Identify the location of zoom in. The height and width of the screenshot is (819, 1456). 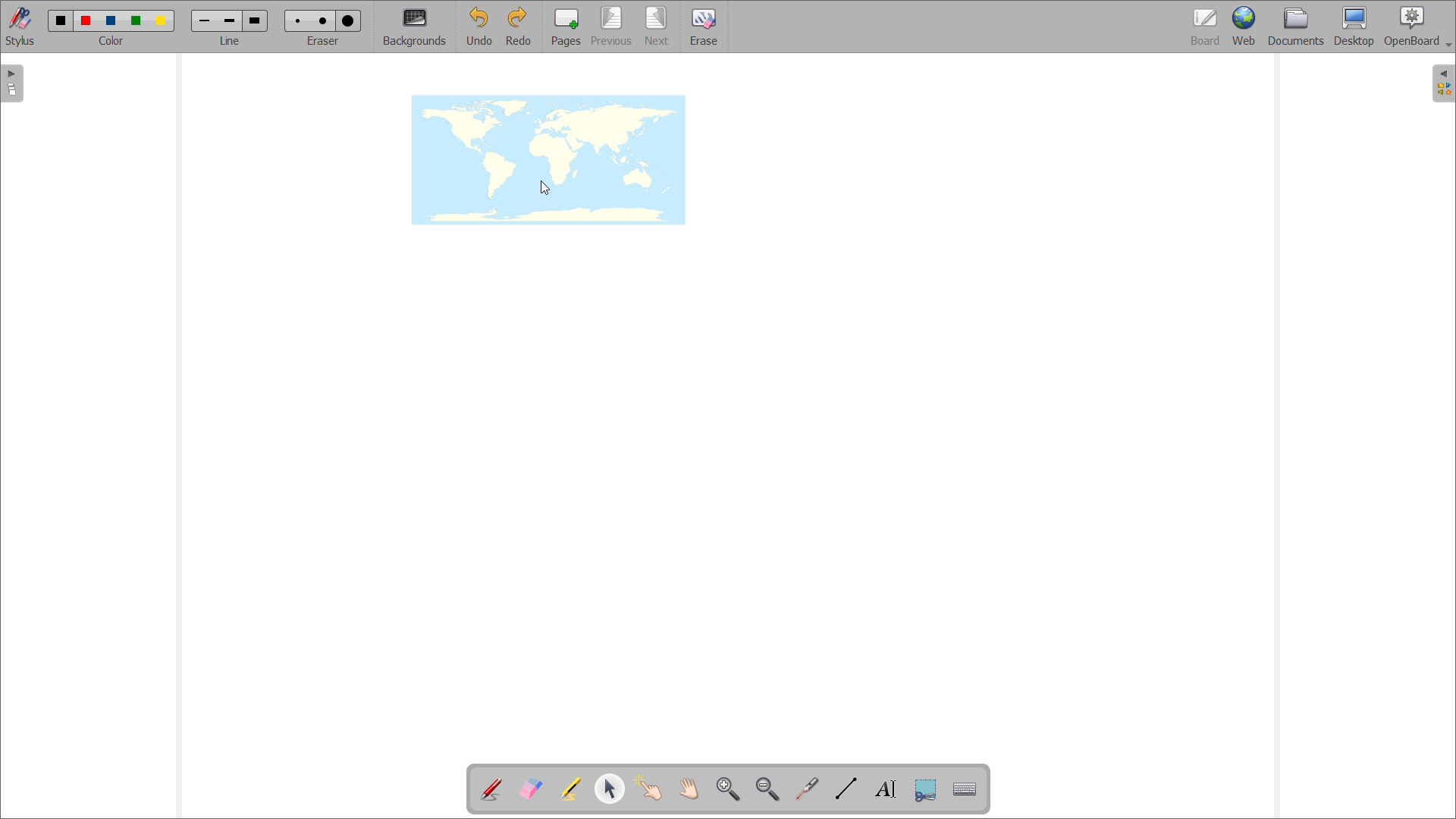
(730, 790).